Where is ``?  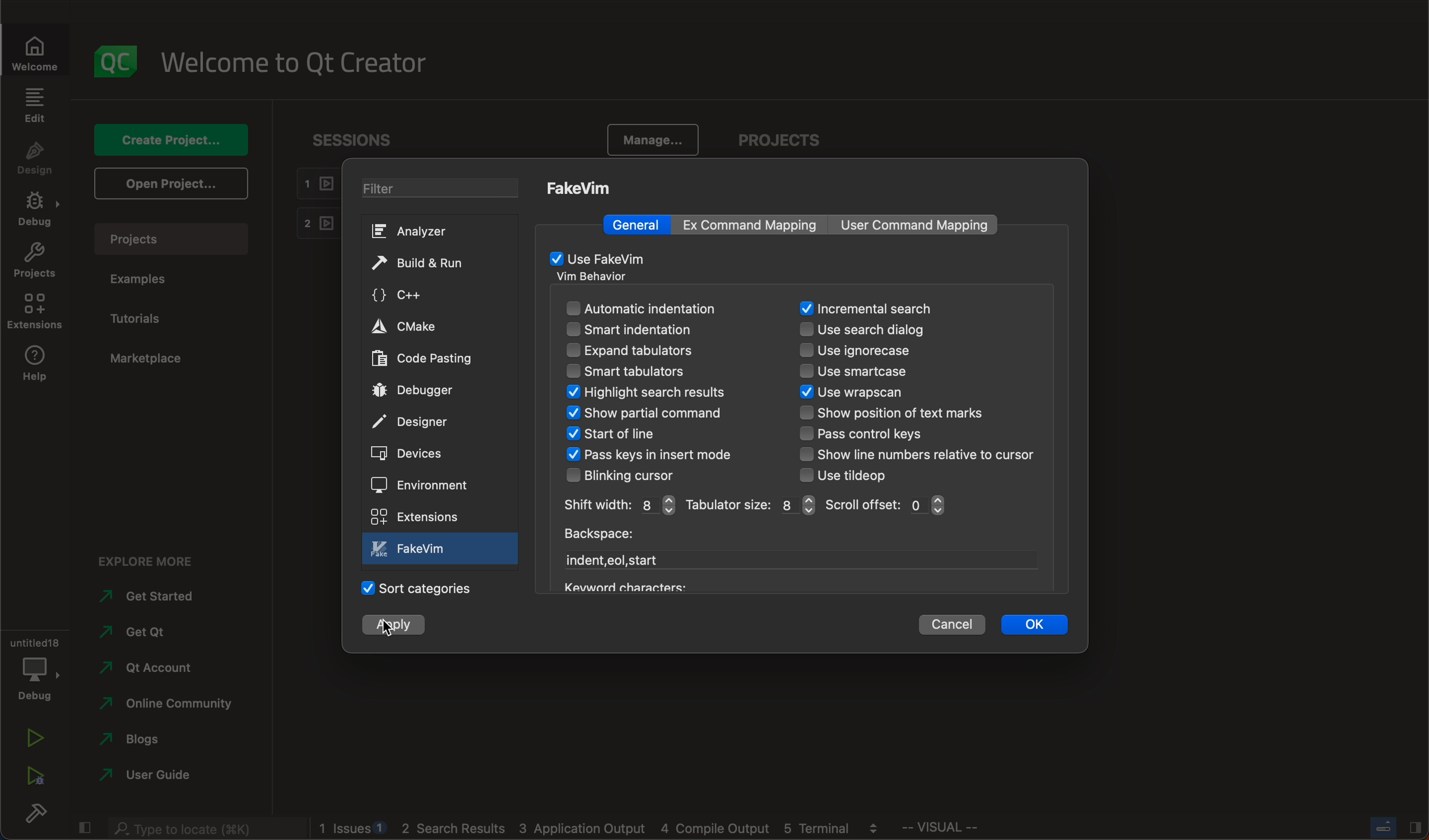
 is located at coordinates (815, 826).